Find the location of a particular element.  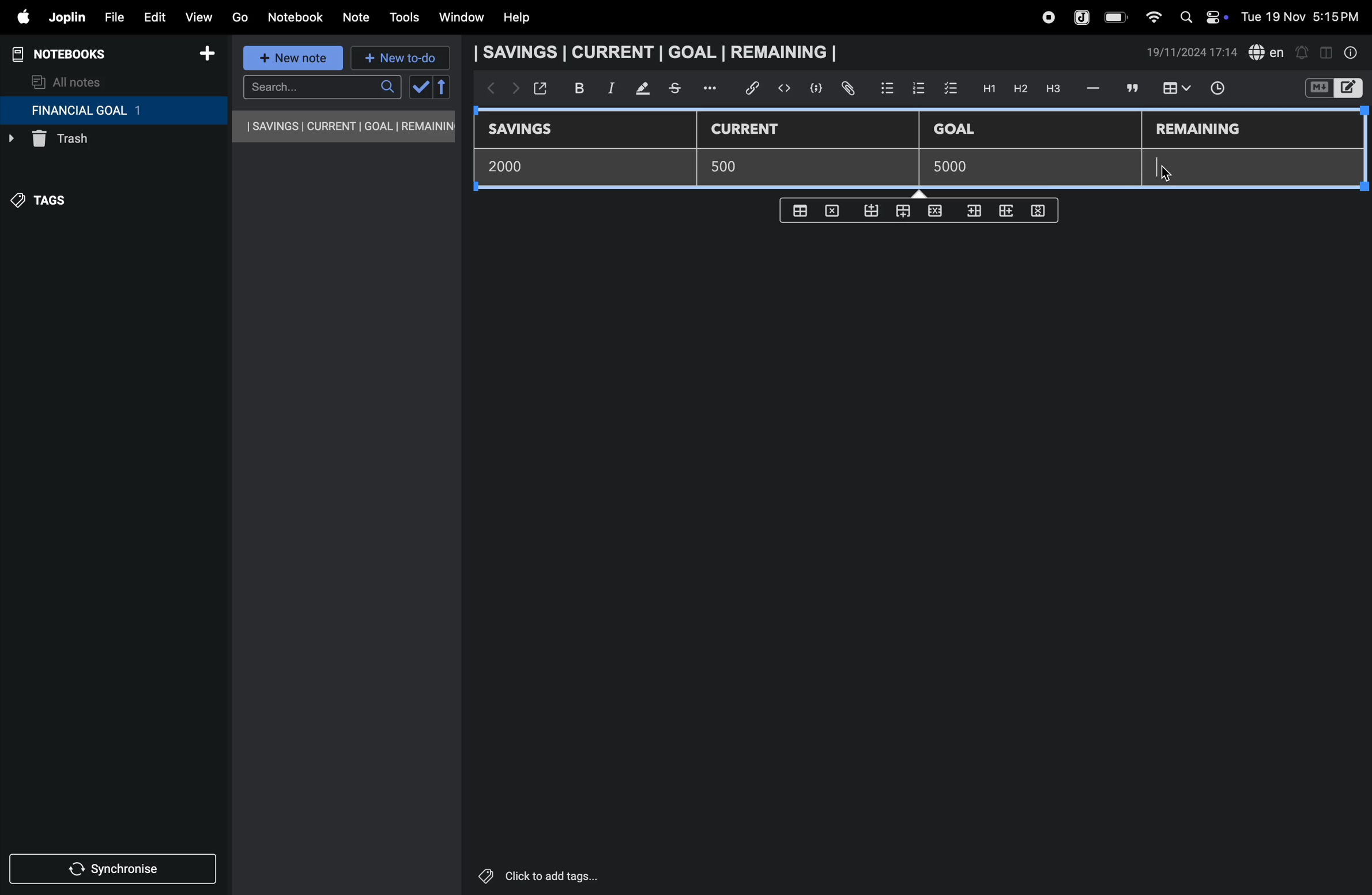

notebook is located at coordinates (295, 17).